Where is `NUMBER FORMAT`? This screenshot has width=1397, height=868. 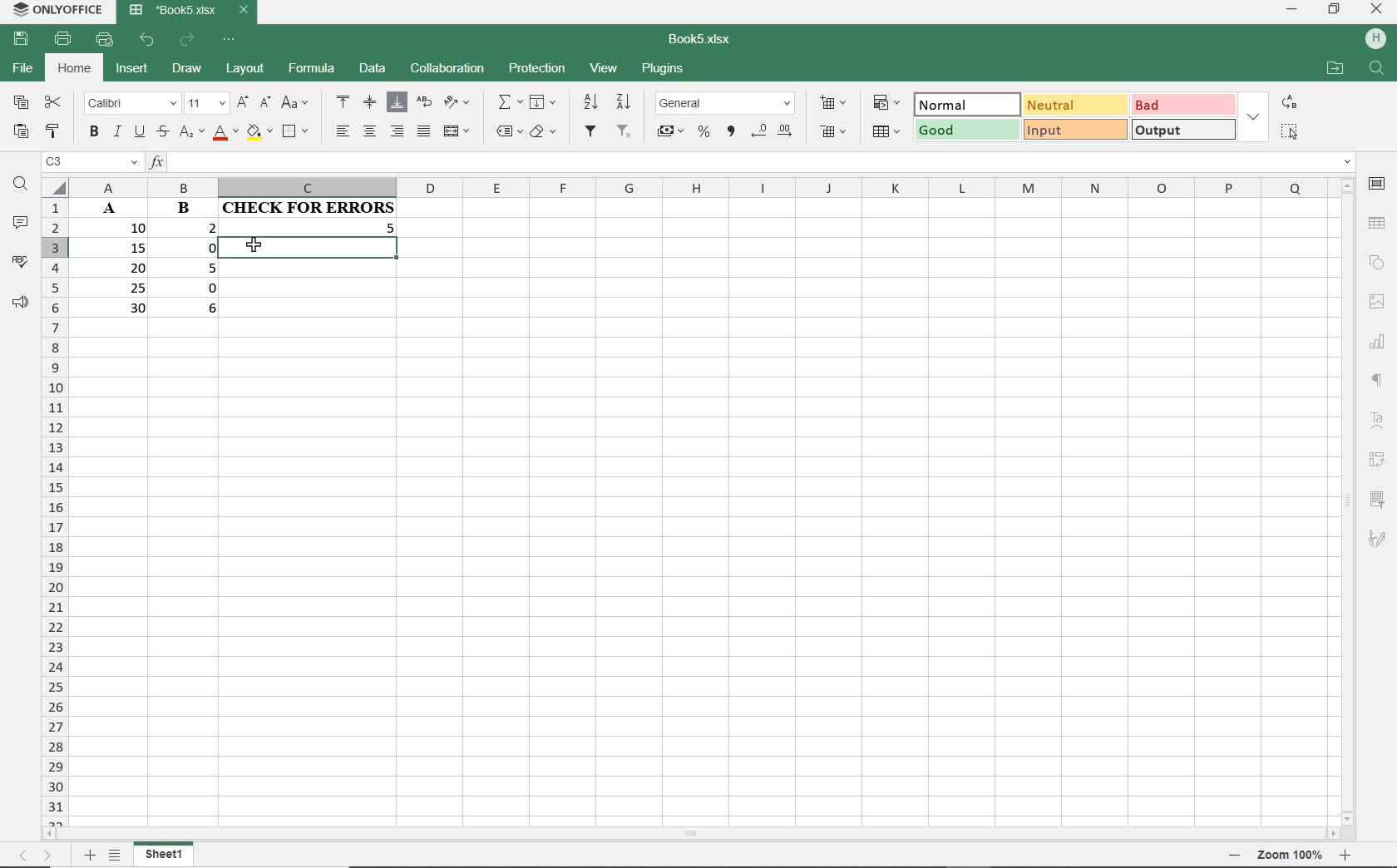 NUMBER FORMAT is located at coordinates (725, 104).